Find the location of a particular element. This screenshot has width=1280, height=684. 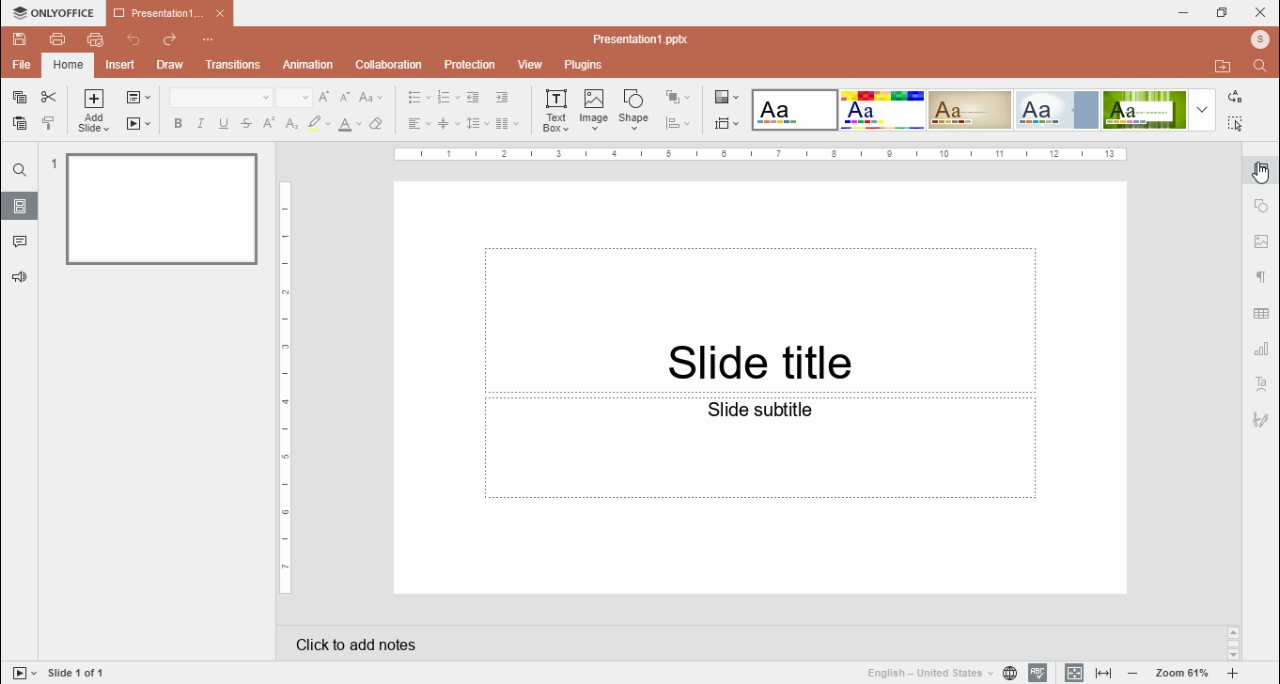

transitions is located at coordinates (230, 65).